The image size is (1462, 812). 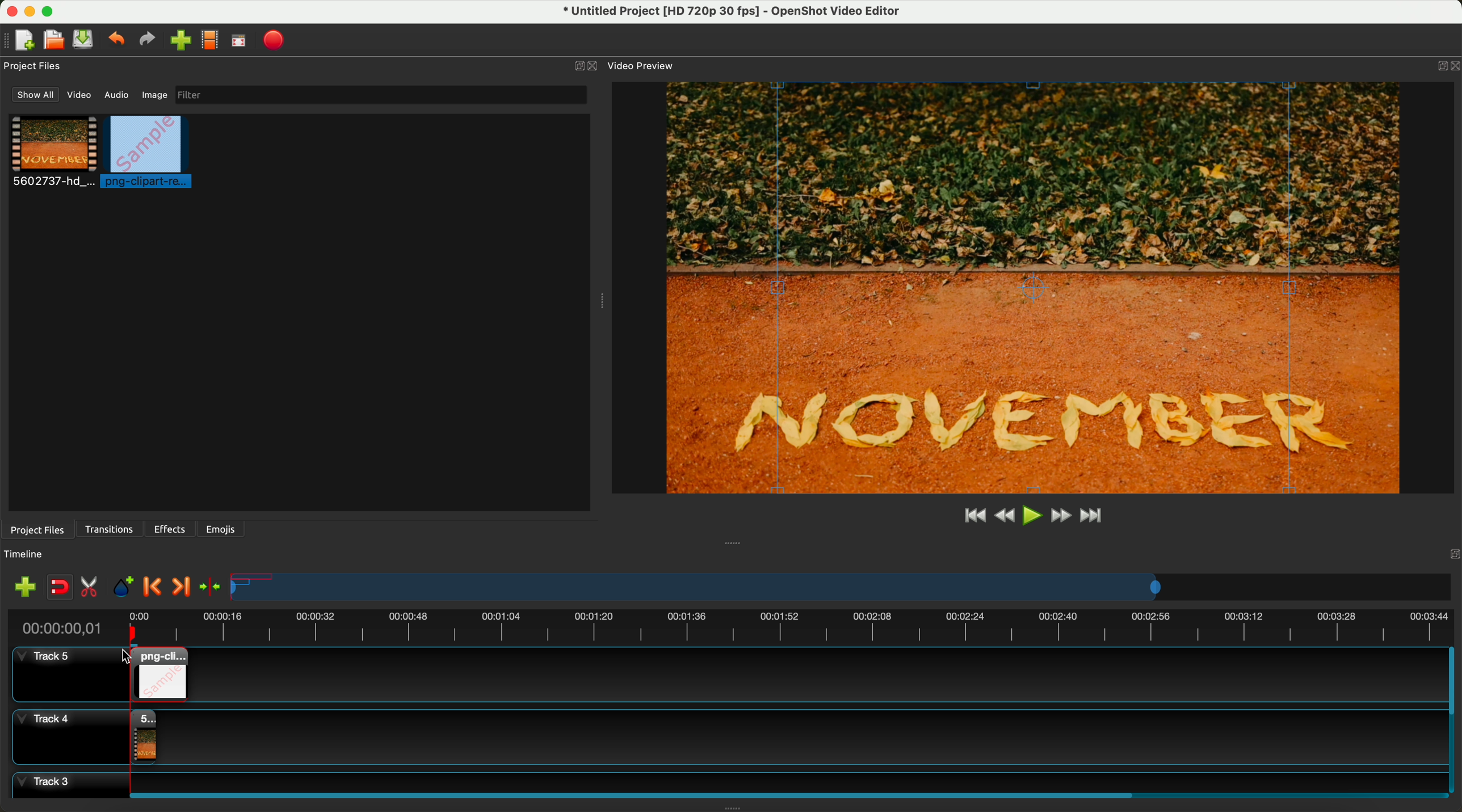 I want to click on import files, so click(x=22, y=586).